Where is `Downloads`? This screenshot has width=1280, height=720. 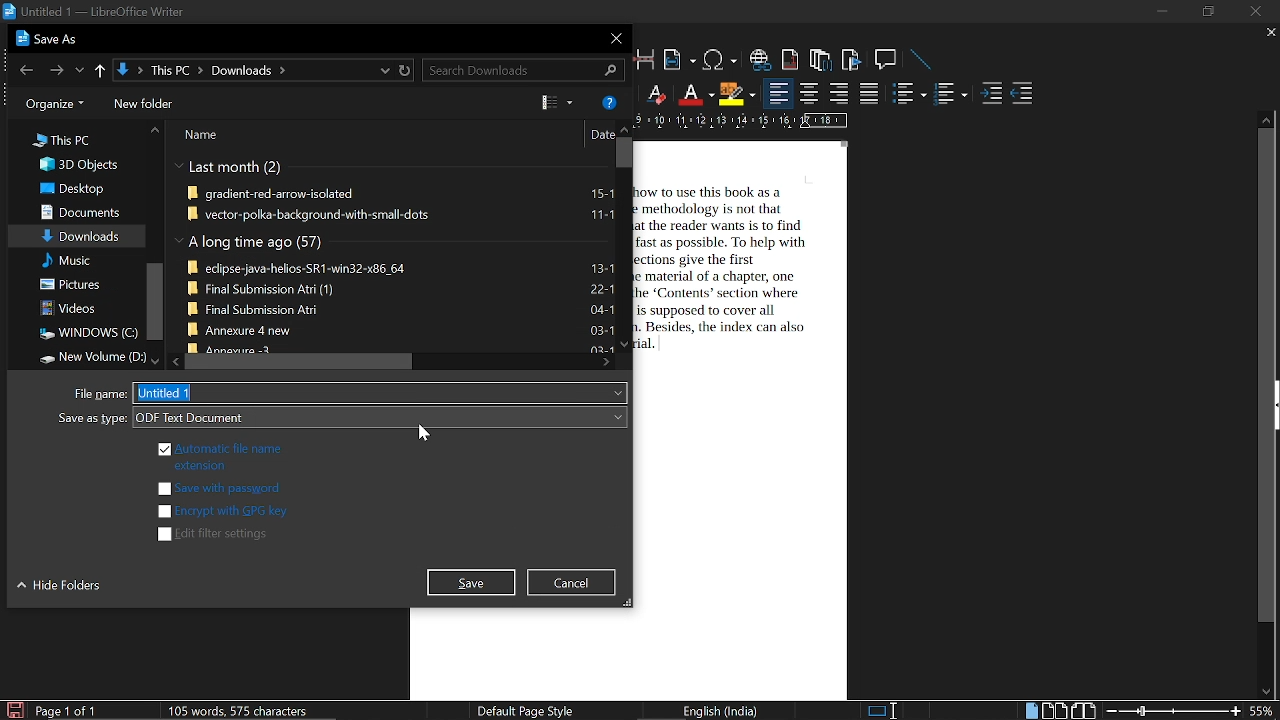
Downloads is located at coordinates (81, 235).